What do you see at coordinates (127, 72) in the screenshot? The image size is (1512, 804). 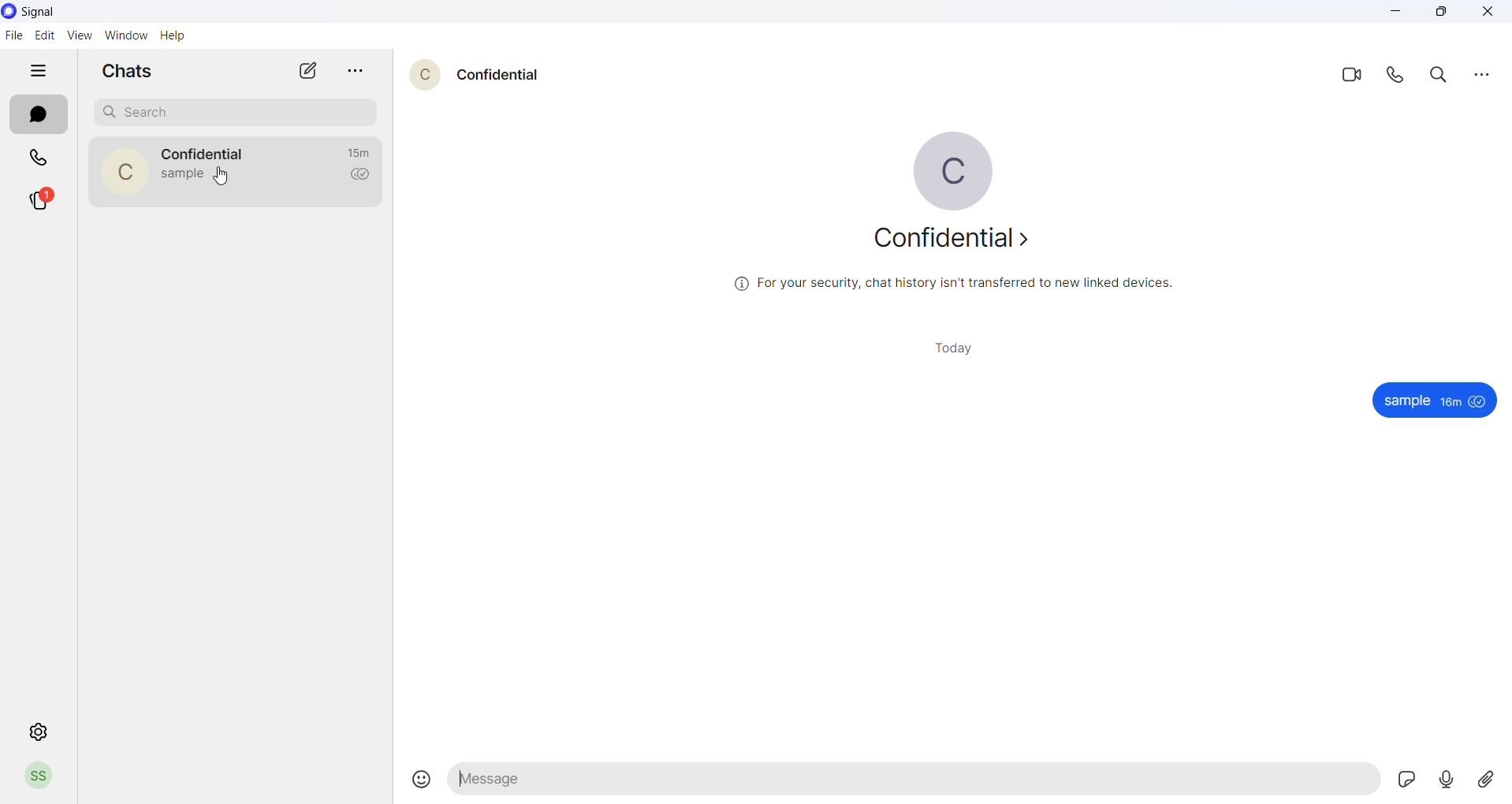 I see `chats ` at bounding box center [127, 72].